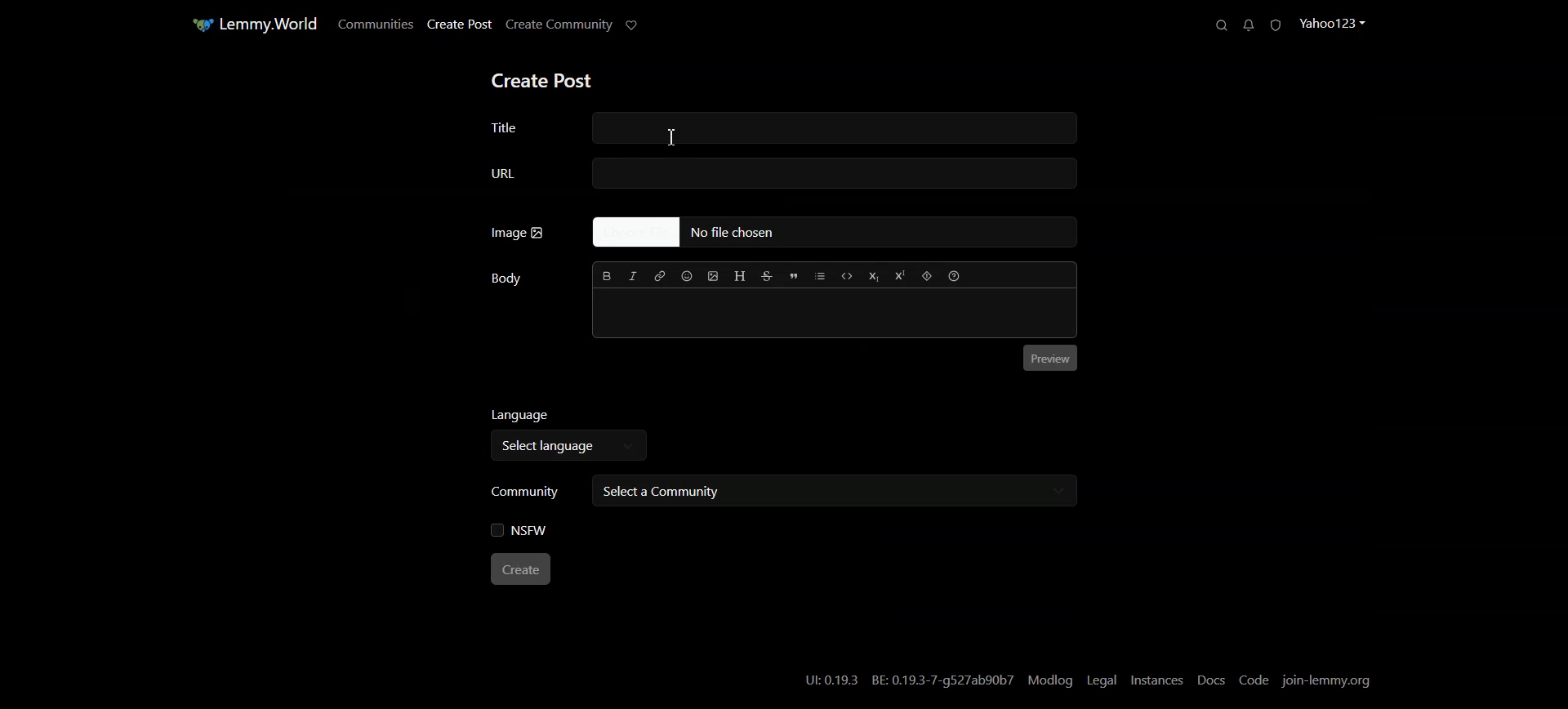 The image size is (1568, 709). I want to click on Code, so click(849, 277).